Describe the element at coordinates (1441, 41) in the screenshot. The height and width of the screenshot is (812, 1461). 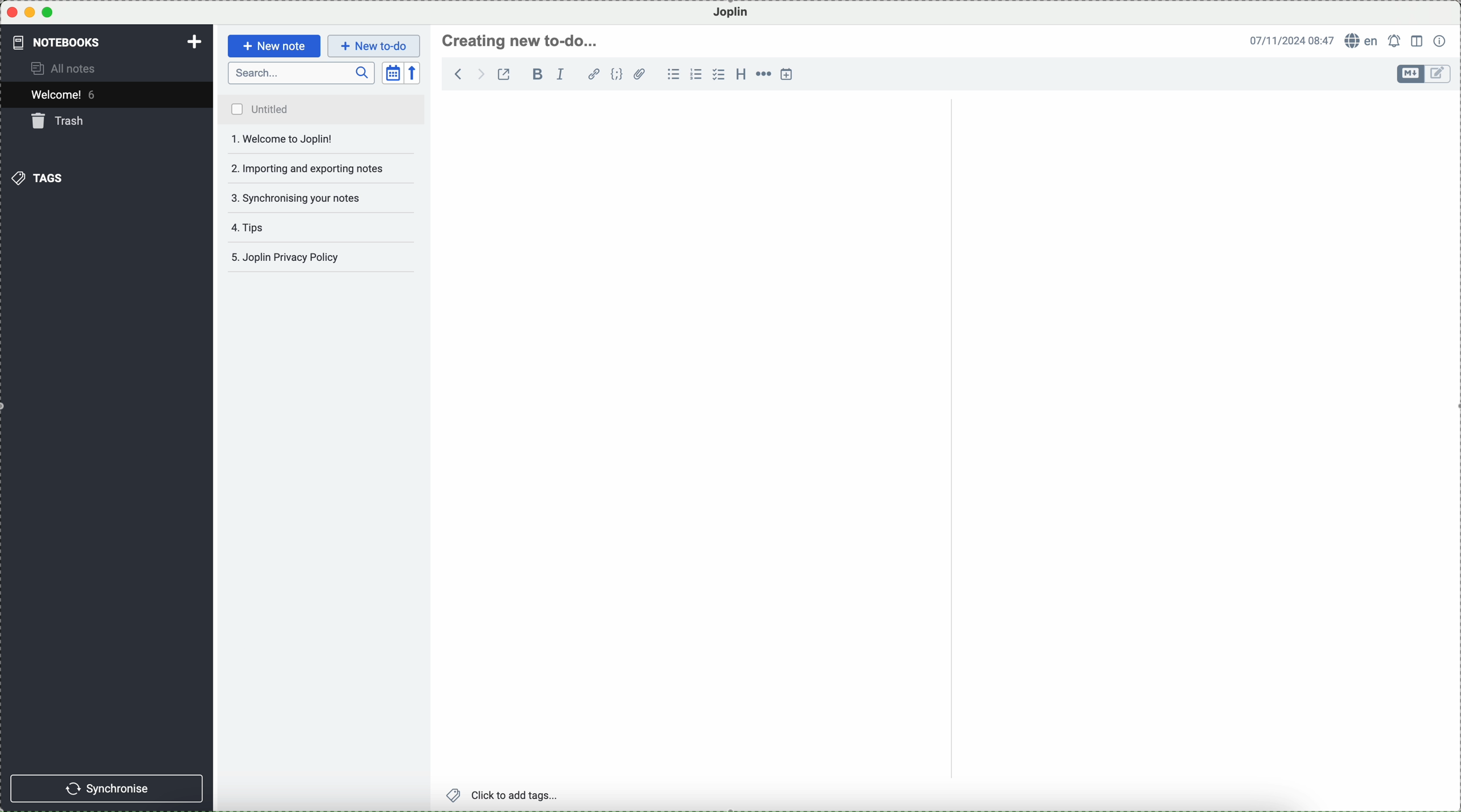
I see `note properties` at that location.